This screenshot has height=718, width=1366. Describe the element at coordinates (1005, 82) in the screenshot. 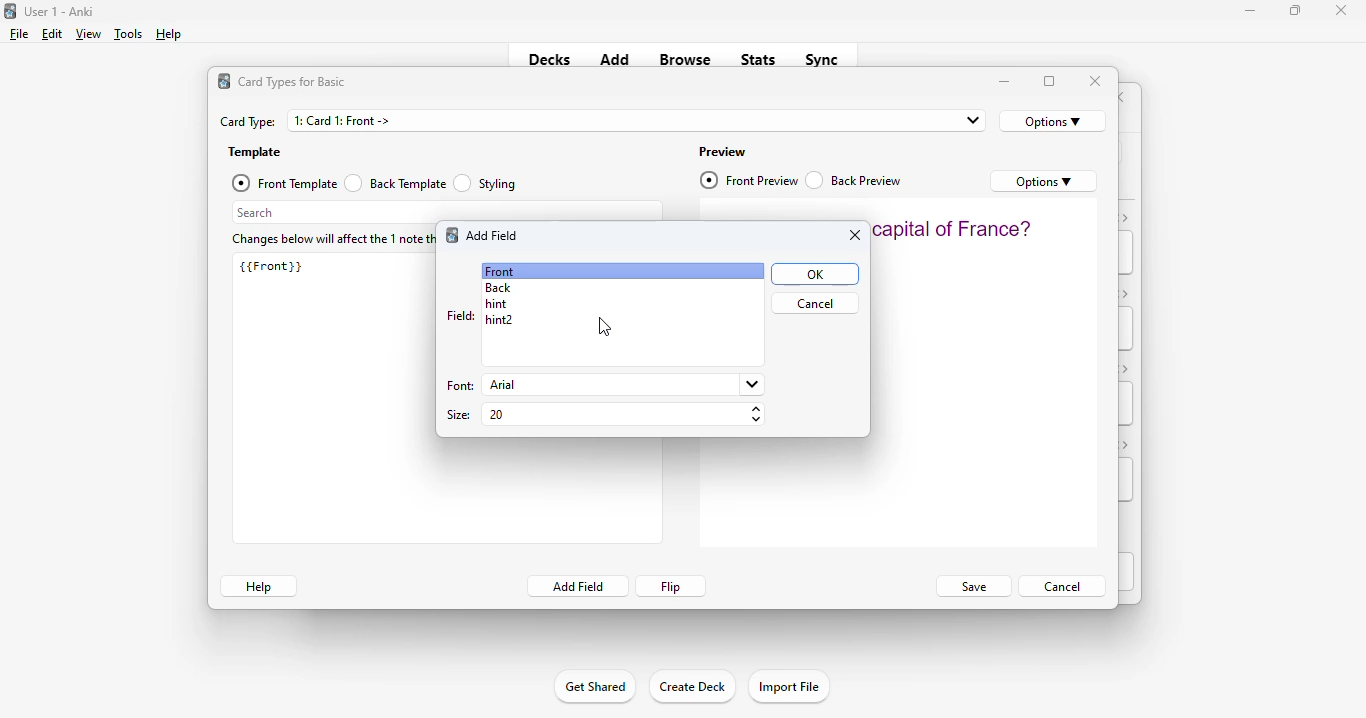

I see `minimize` at that location.